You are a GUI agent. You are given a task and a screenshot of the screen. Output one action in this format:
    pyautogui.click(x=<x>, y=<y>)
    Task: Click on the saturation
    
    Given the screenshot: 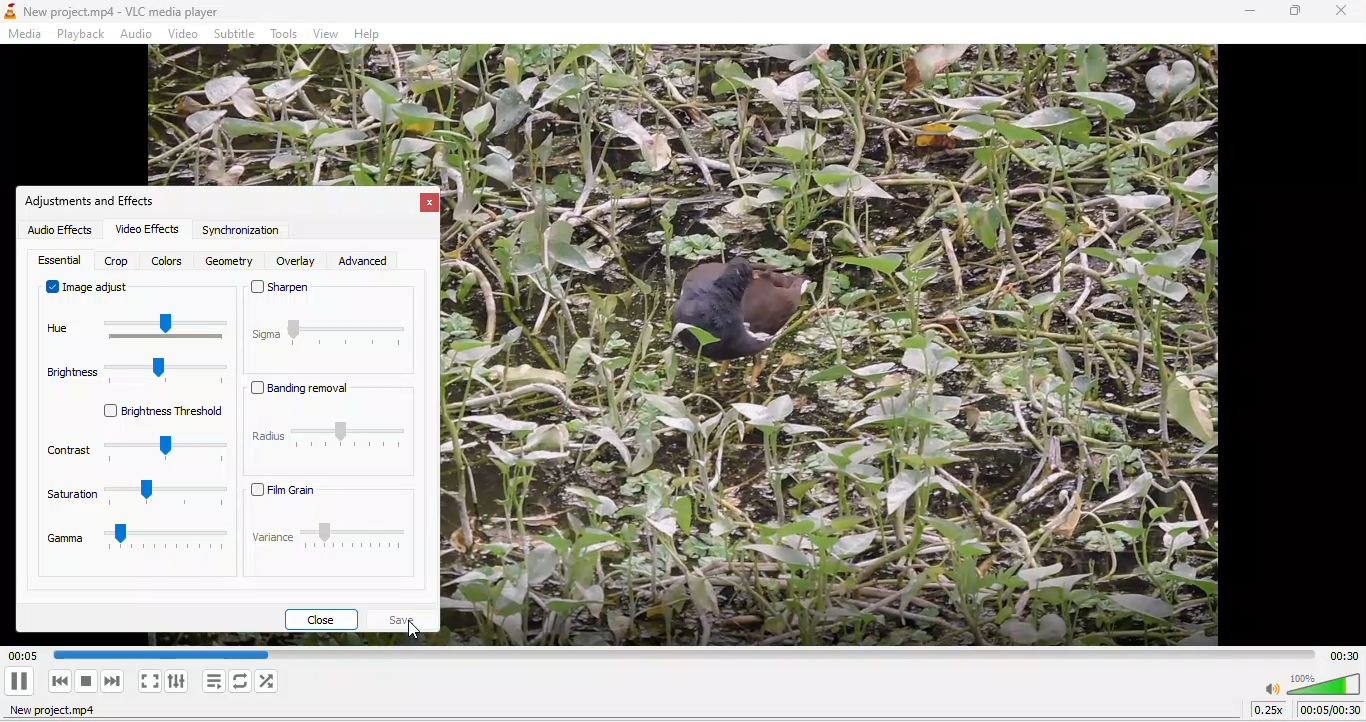 What is the action you would take?
    pyautogui.click(x=134, y=500)
    